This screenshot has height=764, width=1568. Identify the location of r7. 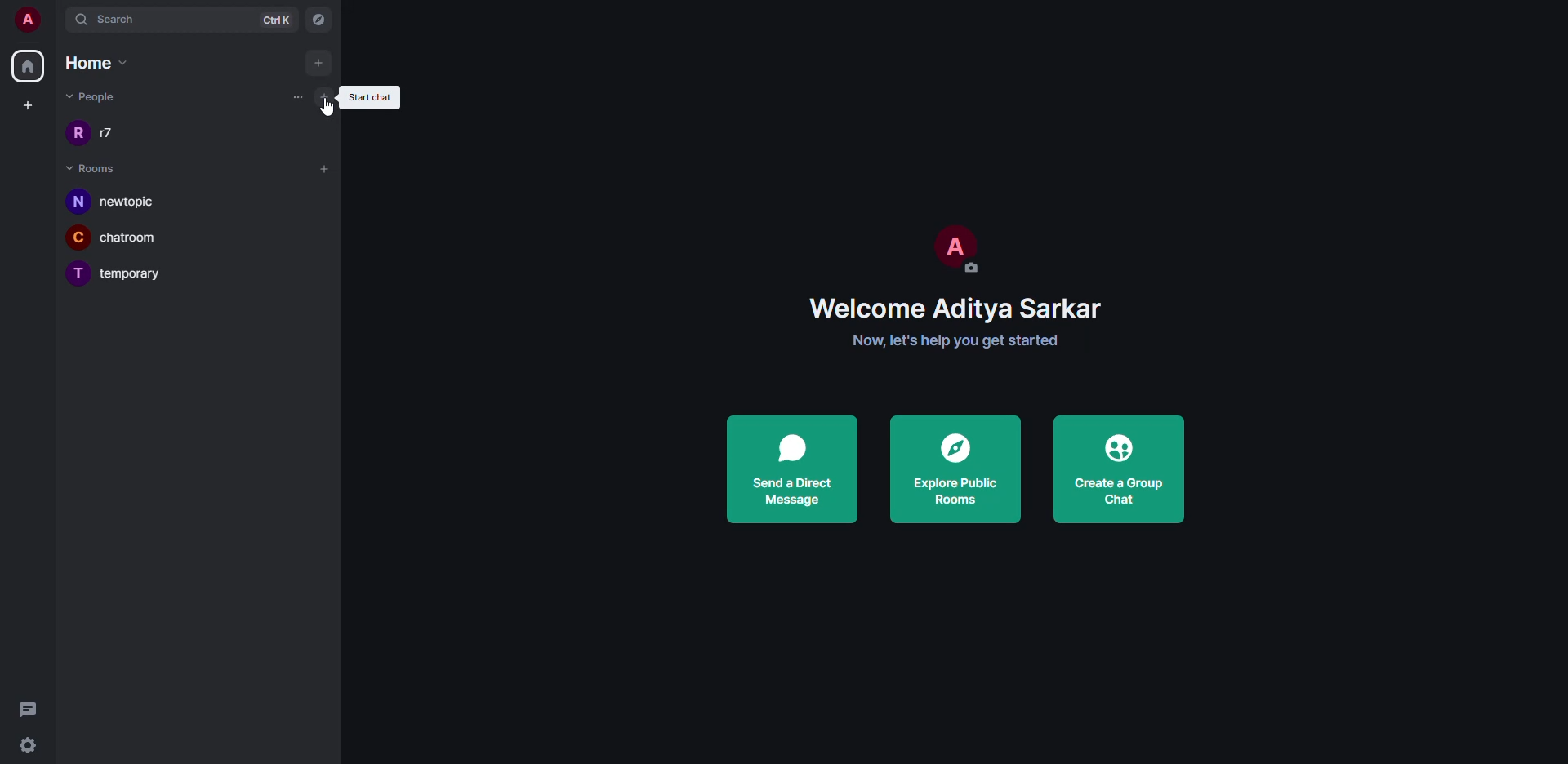
(114, 132).